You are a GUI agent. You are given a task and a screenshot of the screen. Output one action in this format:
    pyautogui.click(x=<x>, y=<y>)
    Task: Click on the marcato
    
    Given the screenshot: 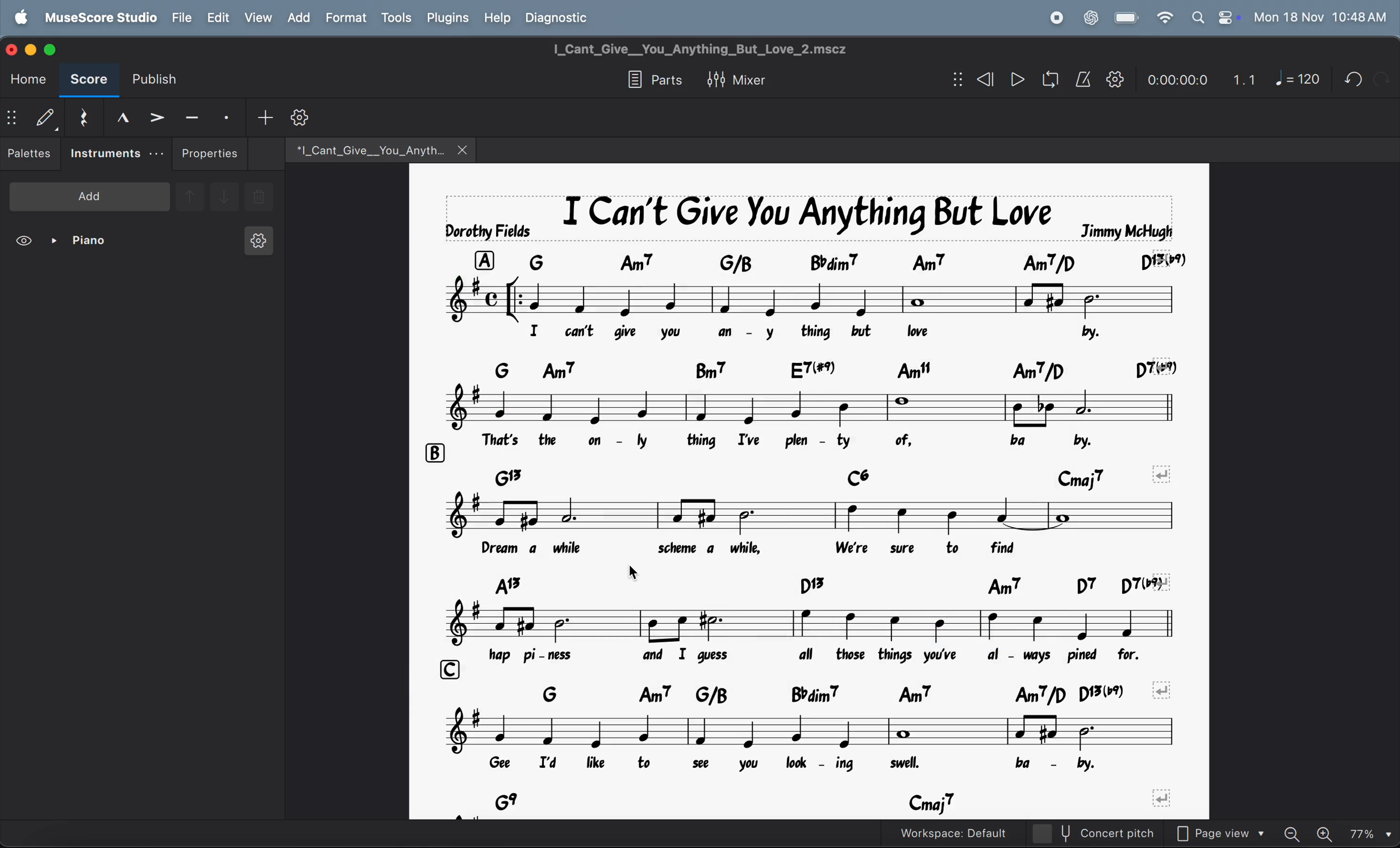 What is the action you would take?
    pyautogui.click(x=118, y=117)
    